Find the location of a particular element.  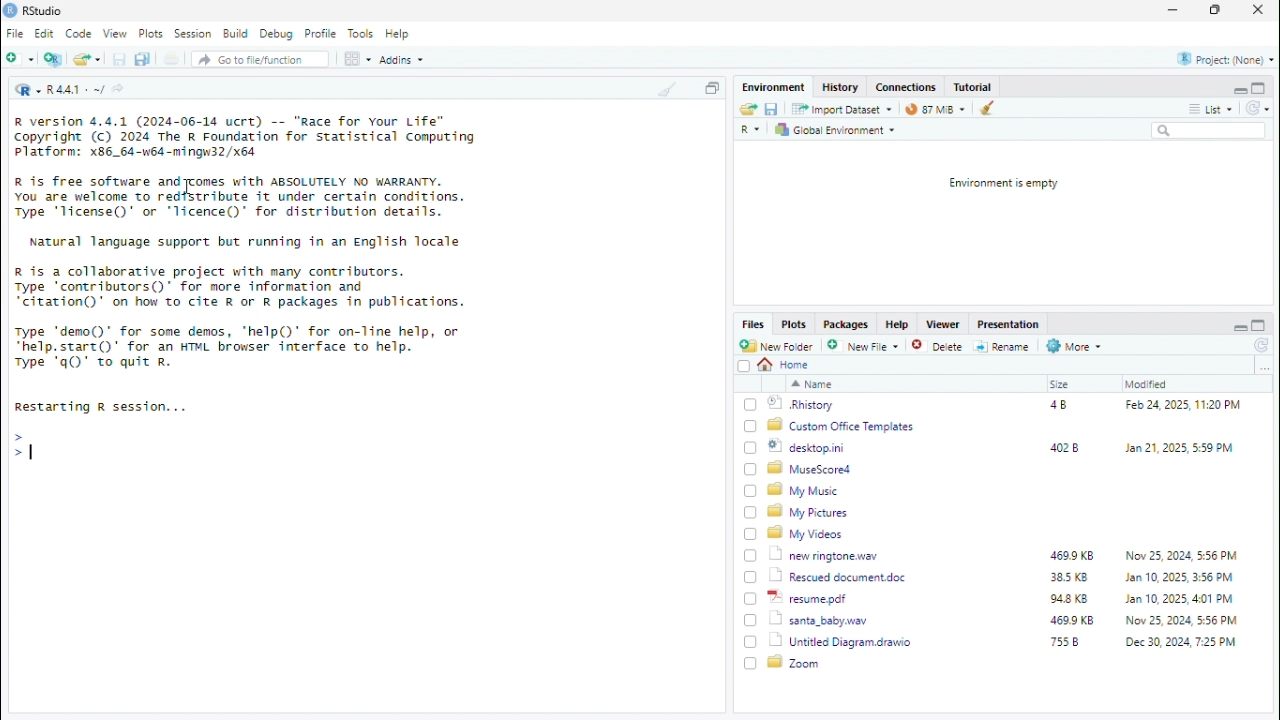

reload is located at coordinates (1257, 107).